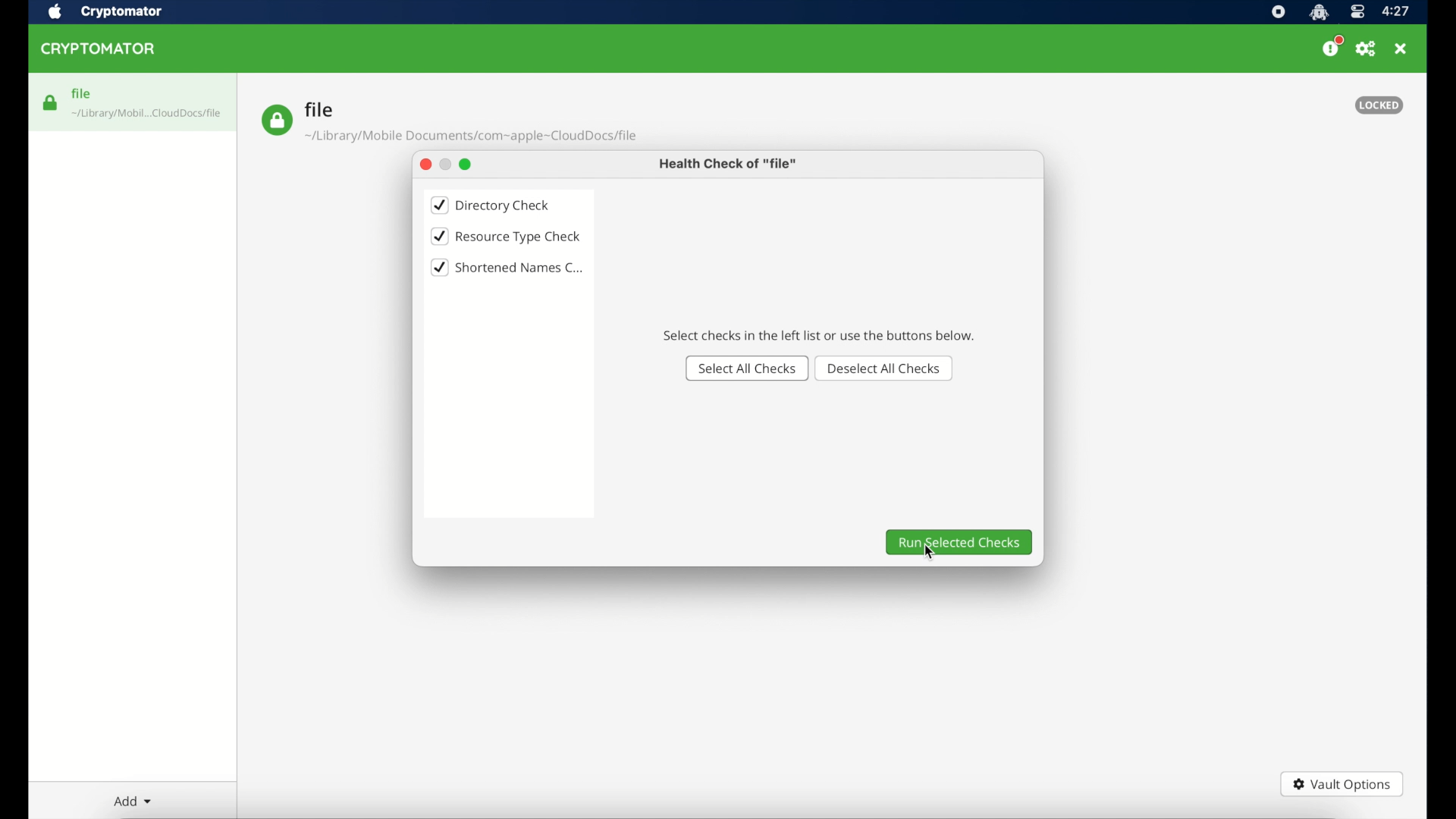 This screenshot has height=819, width=1456. What do you see at coordinates (1332, 47) in the screenshot?
I see `donate` at bounding box center [1332, 47].